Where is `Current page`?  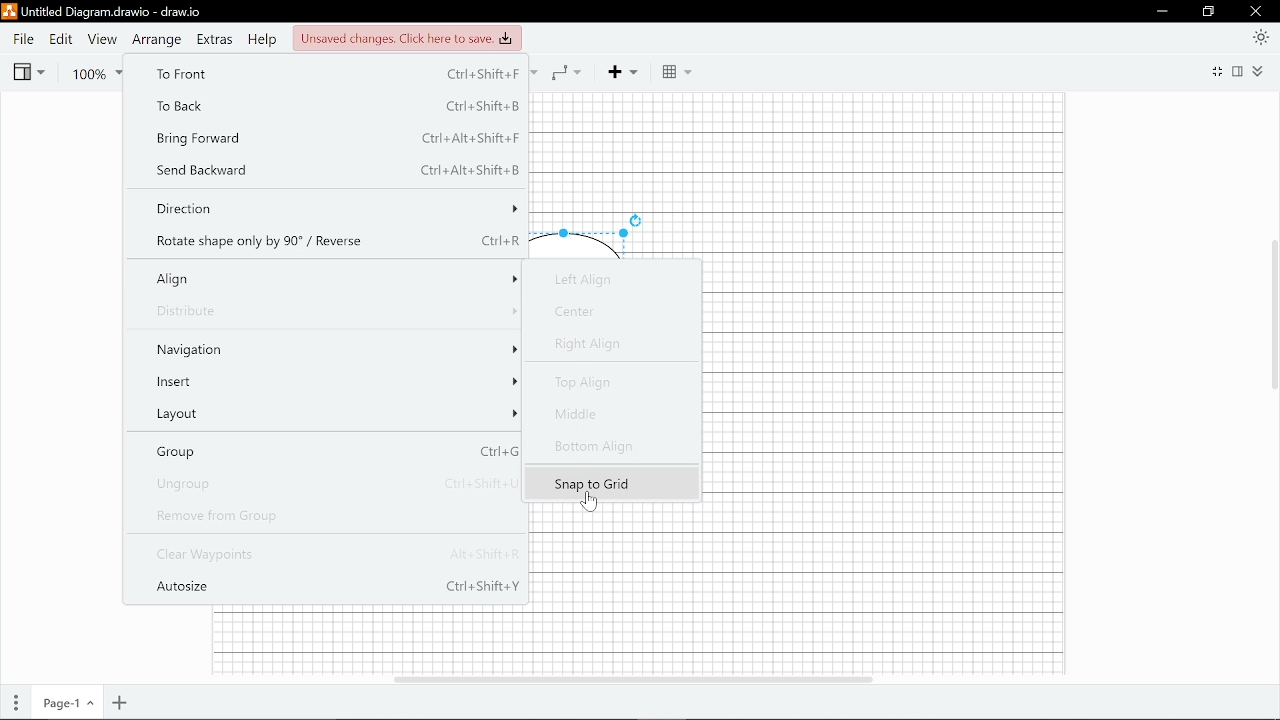 Current page is located at coordinates (69, 704).